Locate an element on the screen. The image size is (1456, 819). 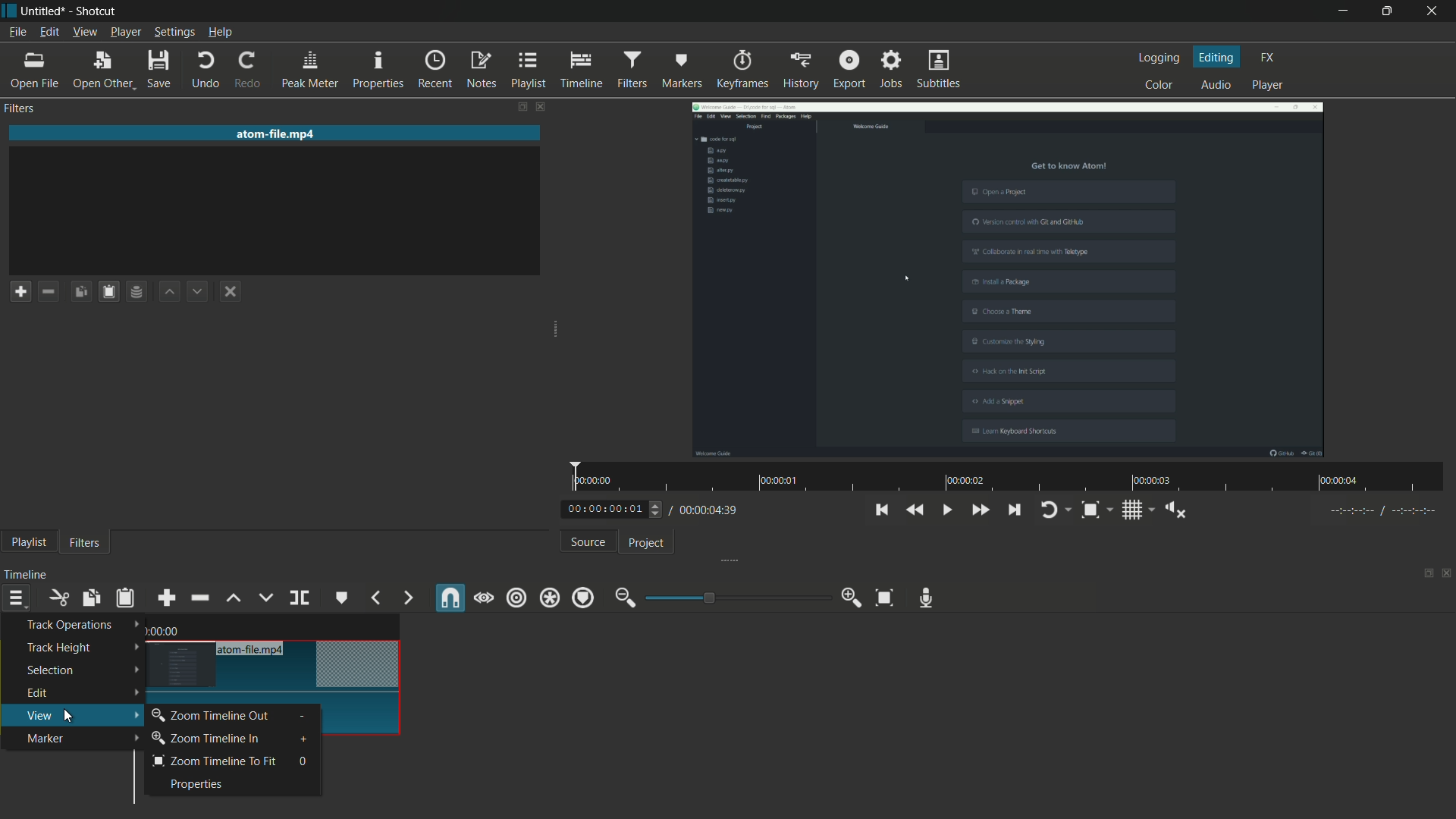
track operations is located at coordinates (79, 625).